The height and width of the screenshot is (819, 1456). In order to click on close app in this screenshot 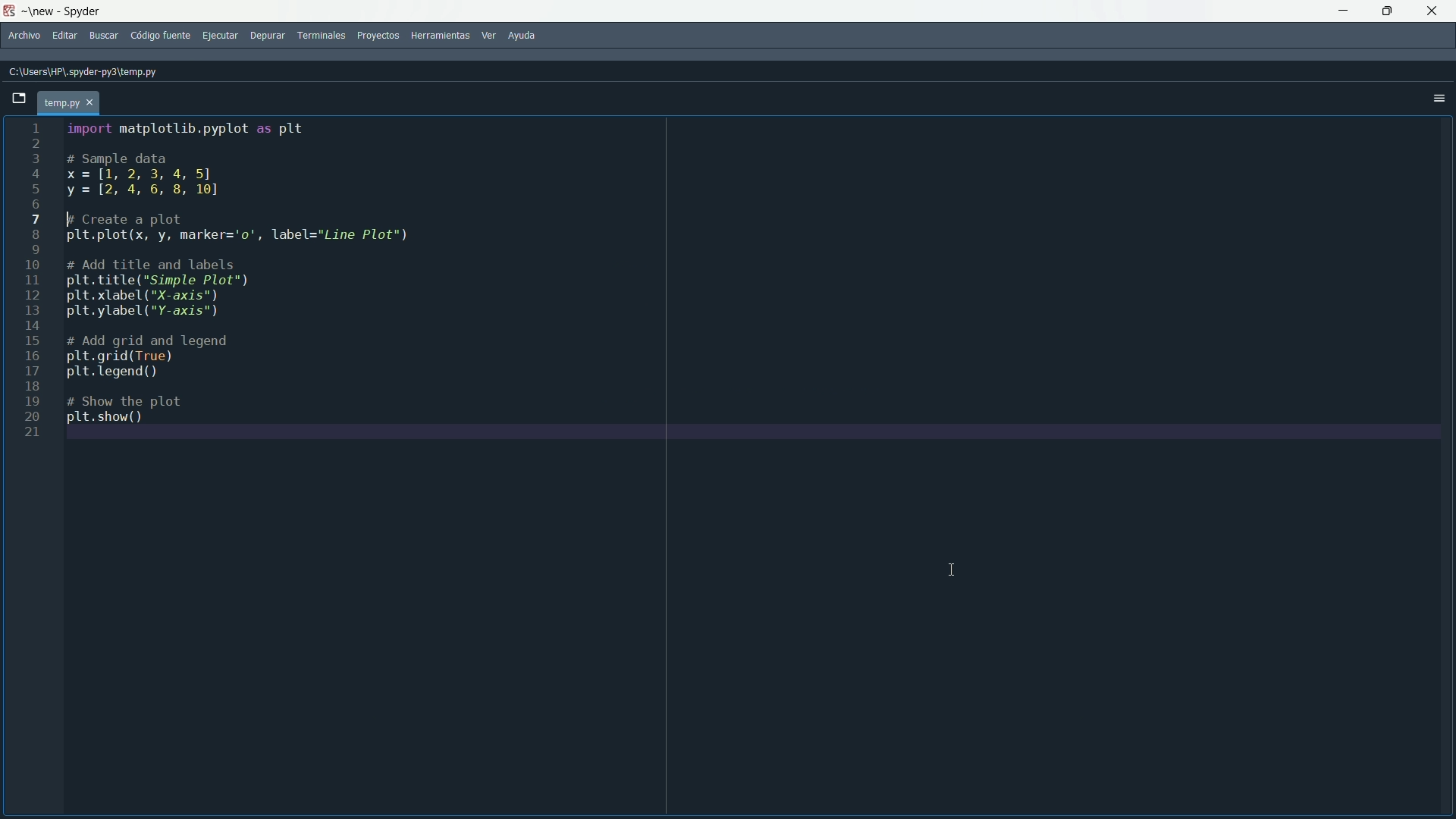, I will do `click(1436, 11)`.